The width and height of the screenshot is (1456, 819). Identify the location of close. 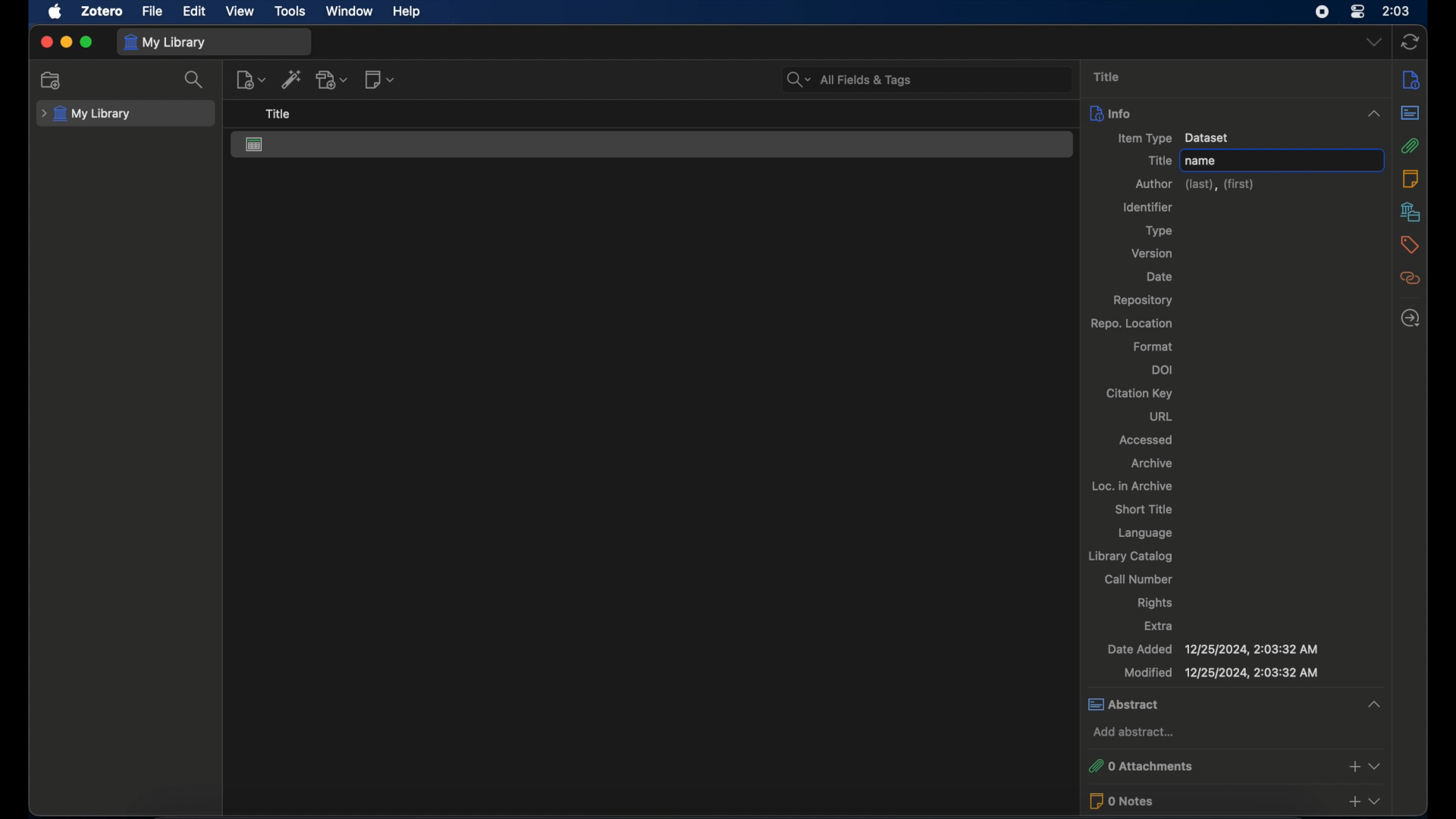
(46, 42).